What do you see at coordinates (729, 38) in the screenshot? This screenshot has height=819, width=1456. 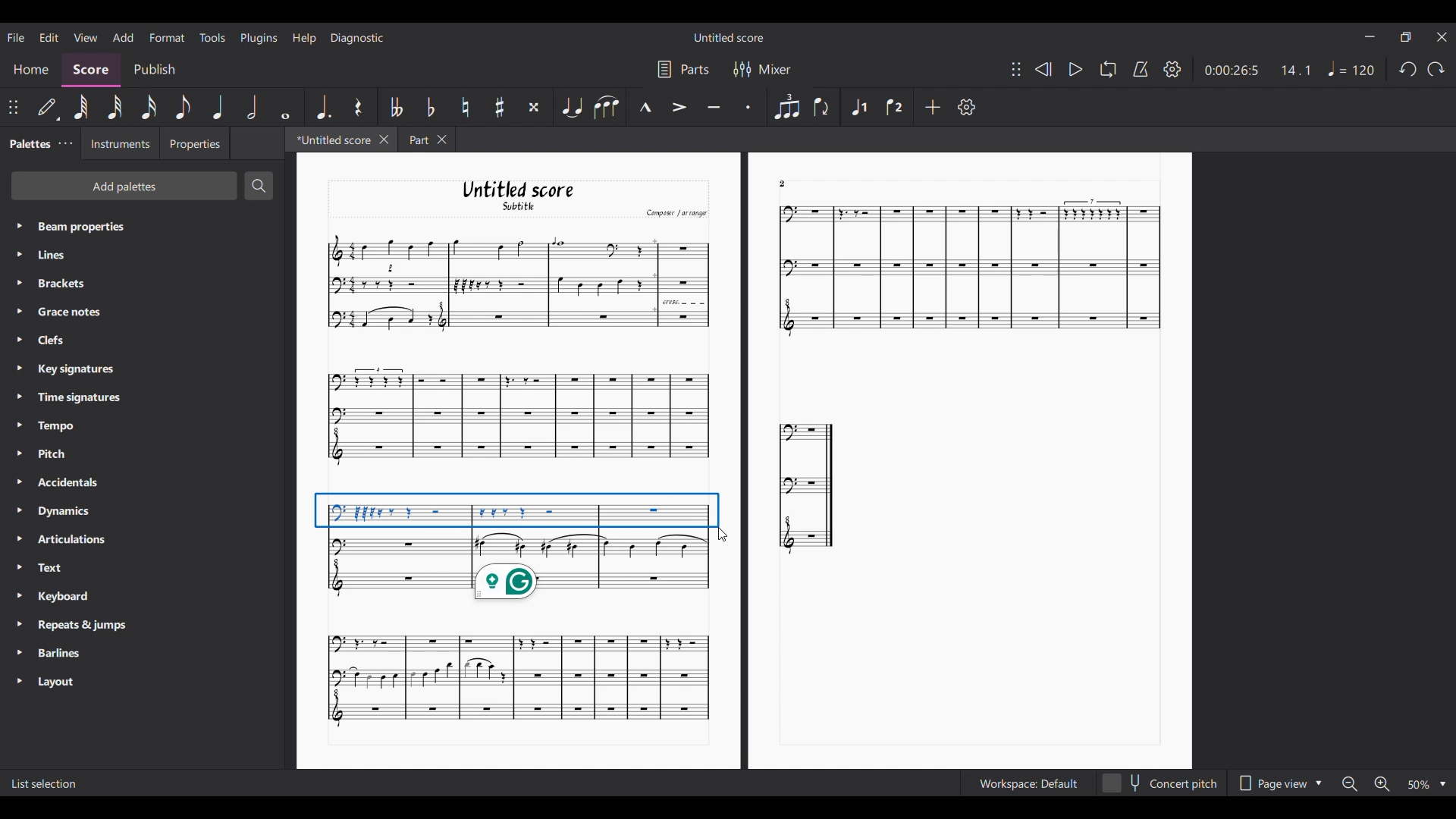 I see `Untitled score` at bounding box center [729, 38].